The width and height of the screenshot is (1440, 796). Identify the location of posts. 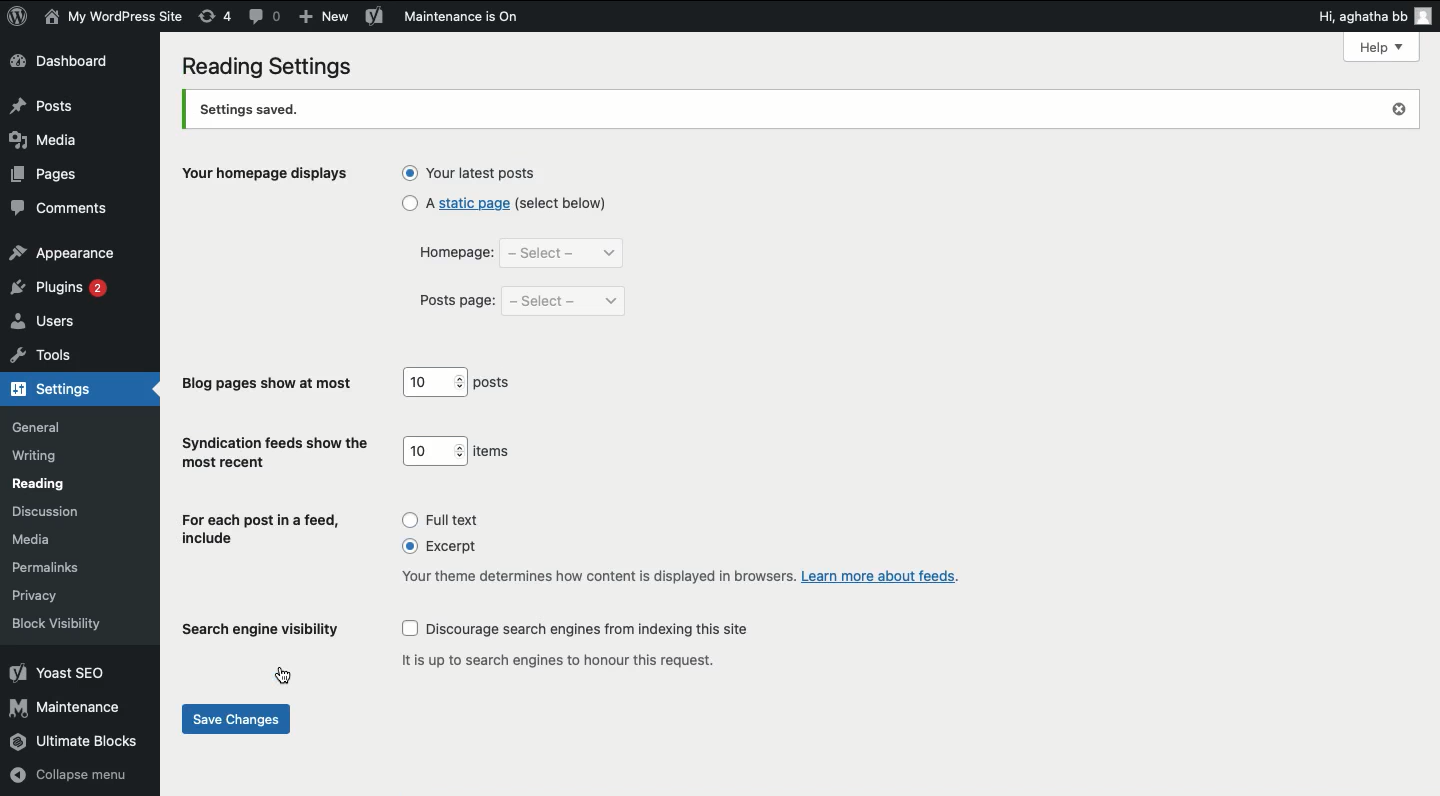
(45, 105).